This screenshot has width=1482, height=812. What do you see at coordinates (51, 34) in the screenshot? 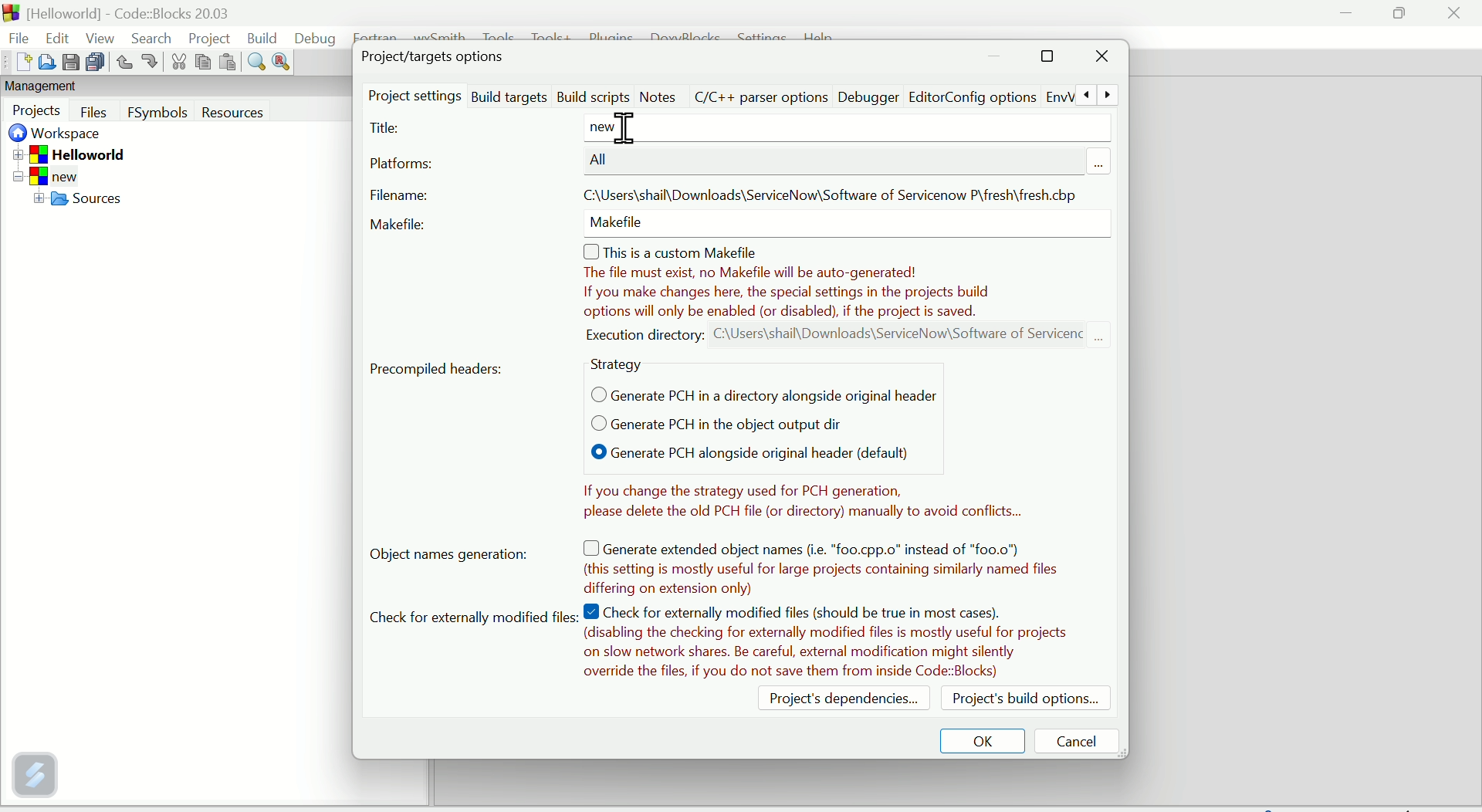
I see `Edit` at bounding box center [51, 34].